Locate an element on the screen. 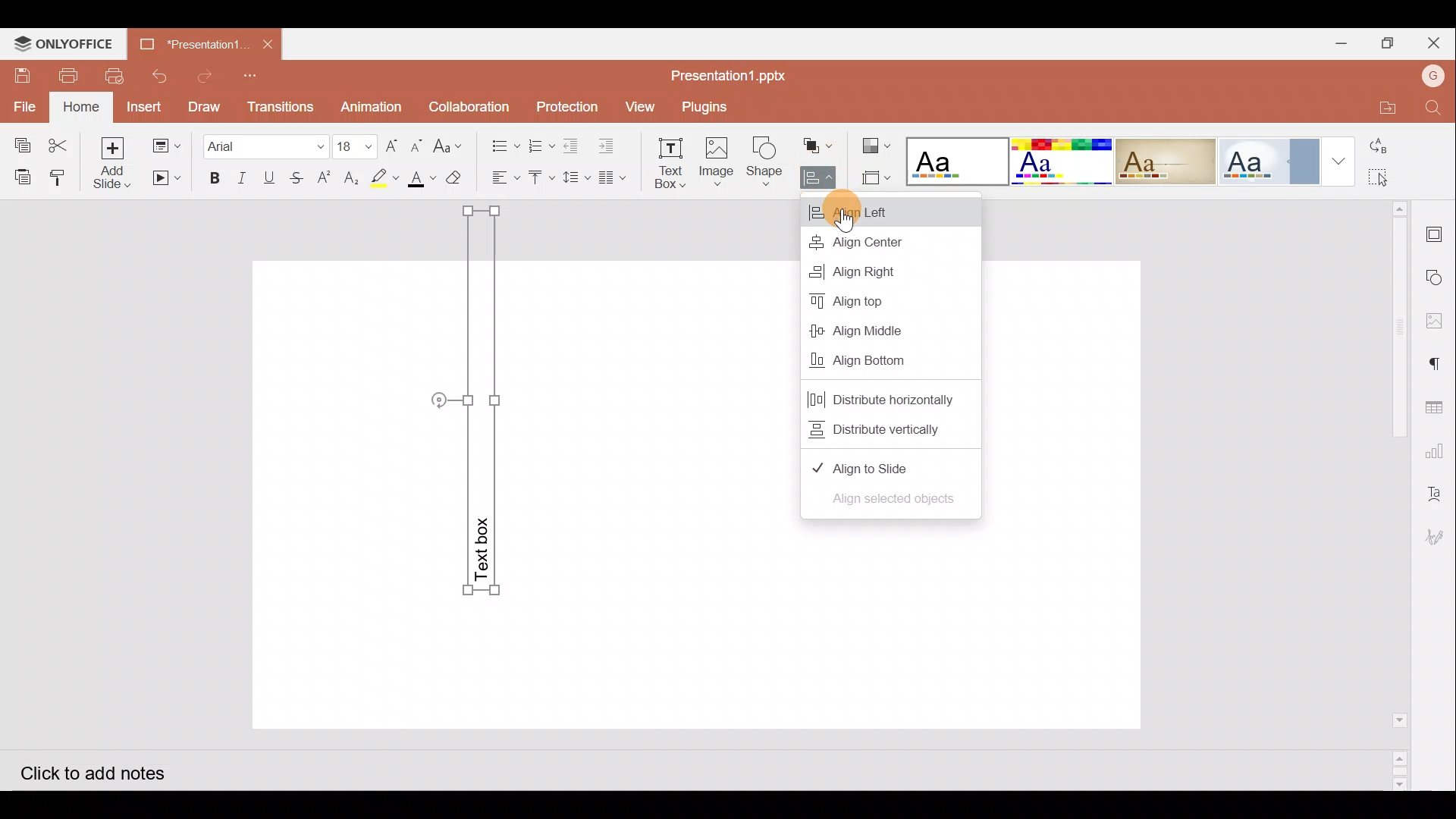 The height and width of the screenshot is (819, 1456). Font name is located at coordinates (265, 144).